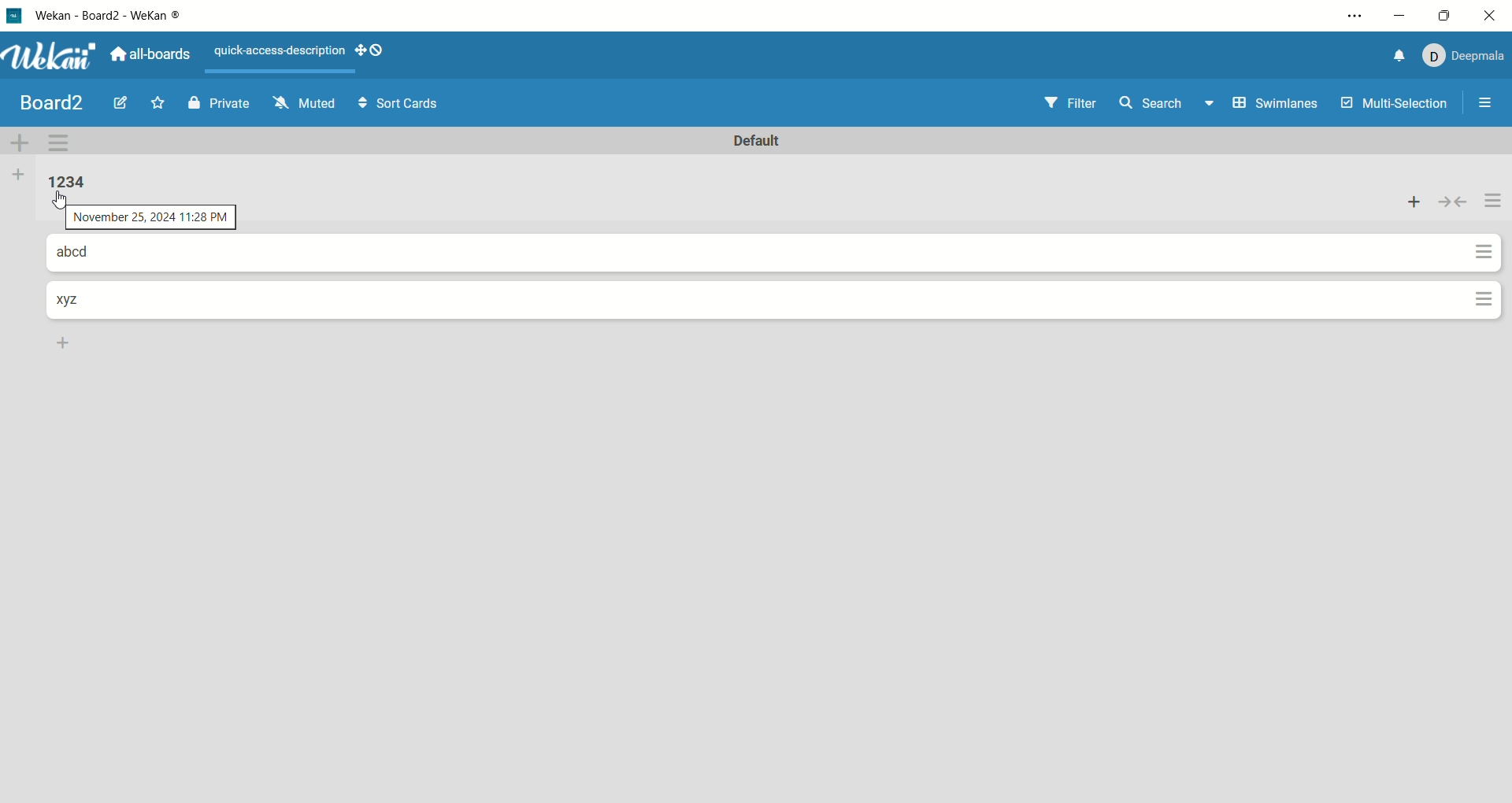 The image size is (1512, 803). What do you see at coordinates (121, 105) in the screenshot?
I see `edit` at bounding box center [121, 105].